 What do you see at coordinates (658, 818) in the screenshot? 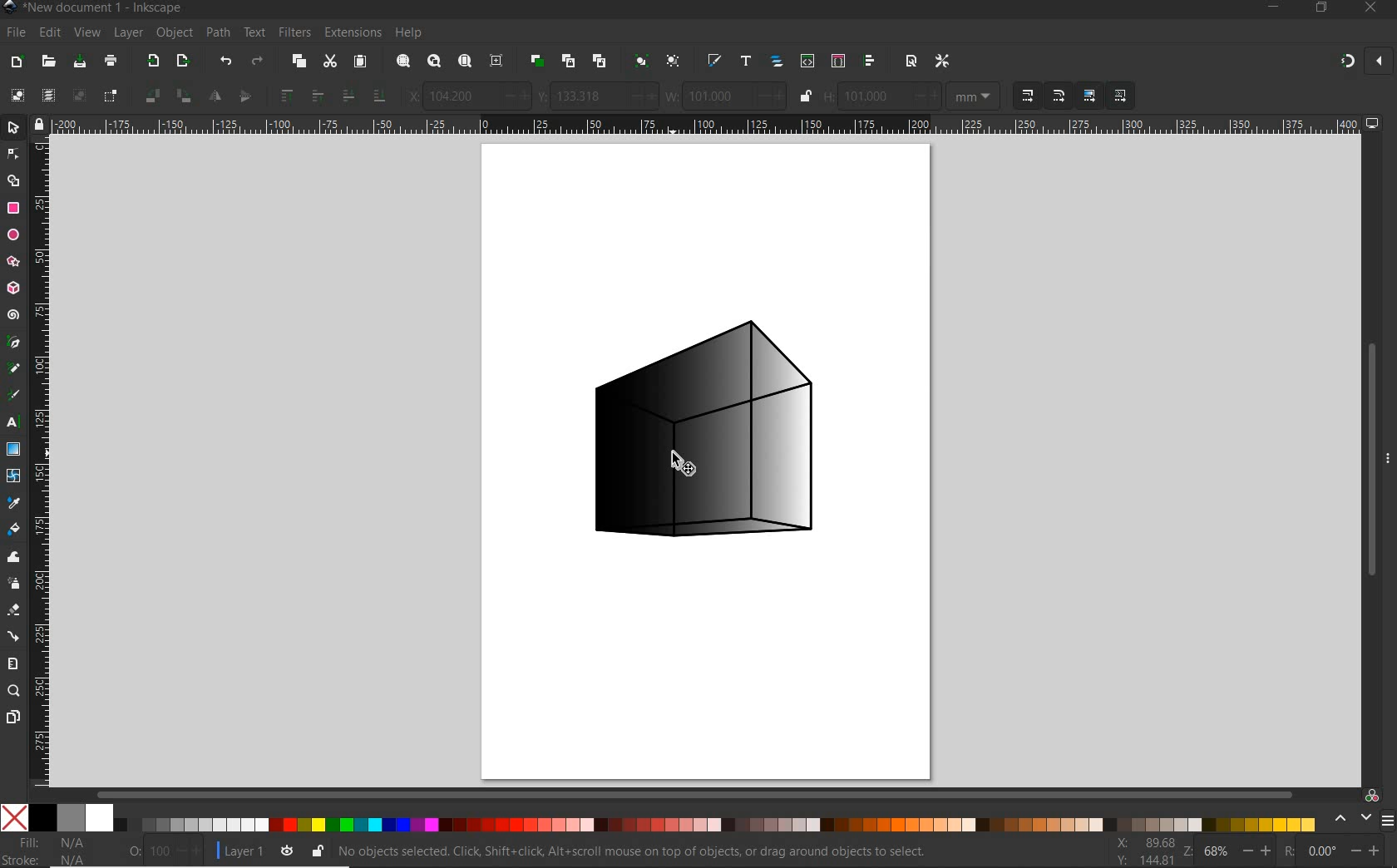
I see `COLOR MODE` at bounding box center [658, 818].